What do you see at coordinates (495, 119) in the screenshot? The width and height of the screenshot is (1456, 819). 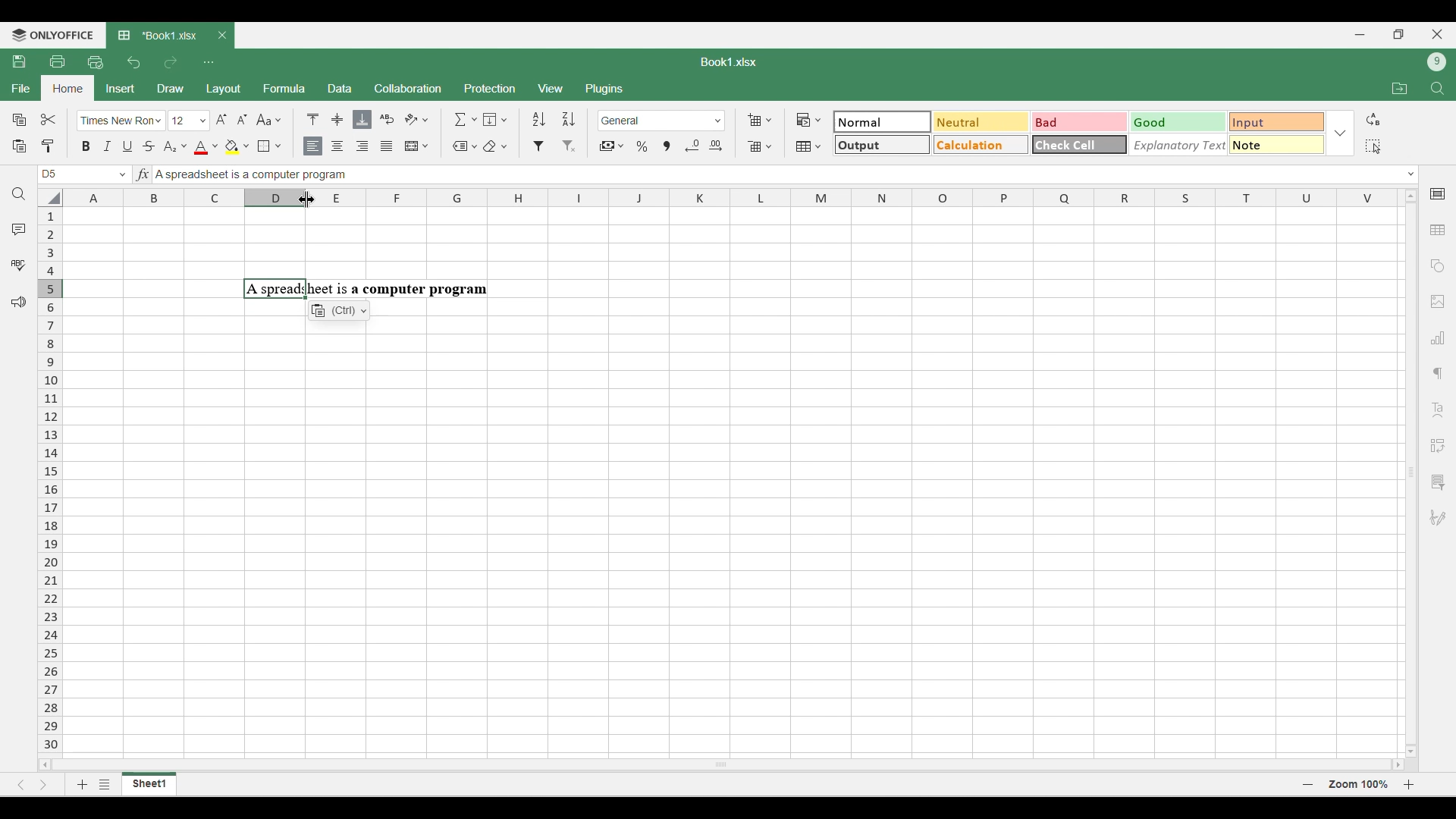 I see `Fill options` at bounding box center [495, 119].